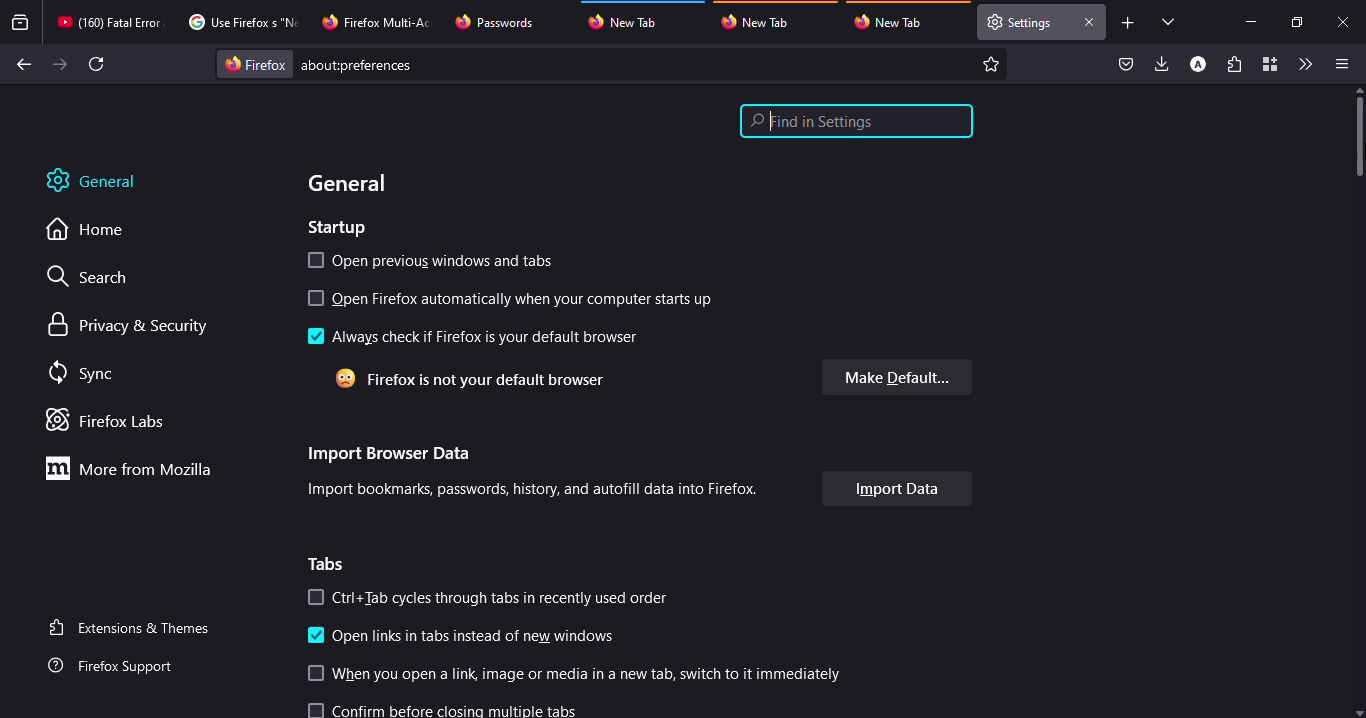 This screenshot has height=718, width=1366. What do you see at coordinates (117, 667) in the screenshot?
I see `support` at bounding box center [117, 667].